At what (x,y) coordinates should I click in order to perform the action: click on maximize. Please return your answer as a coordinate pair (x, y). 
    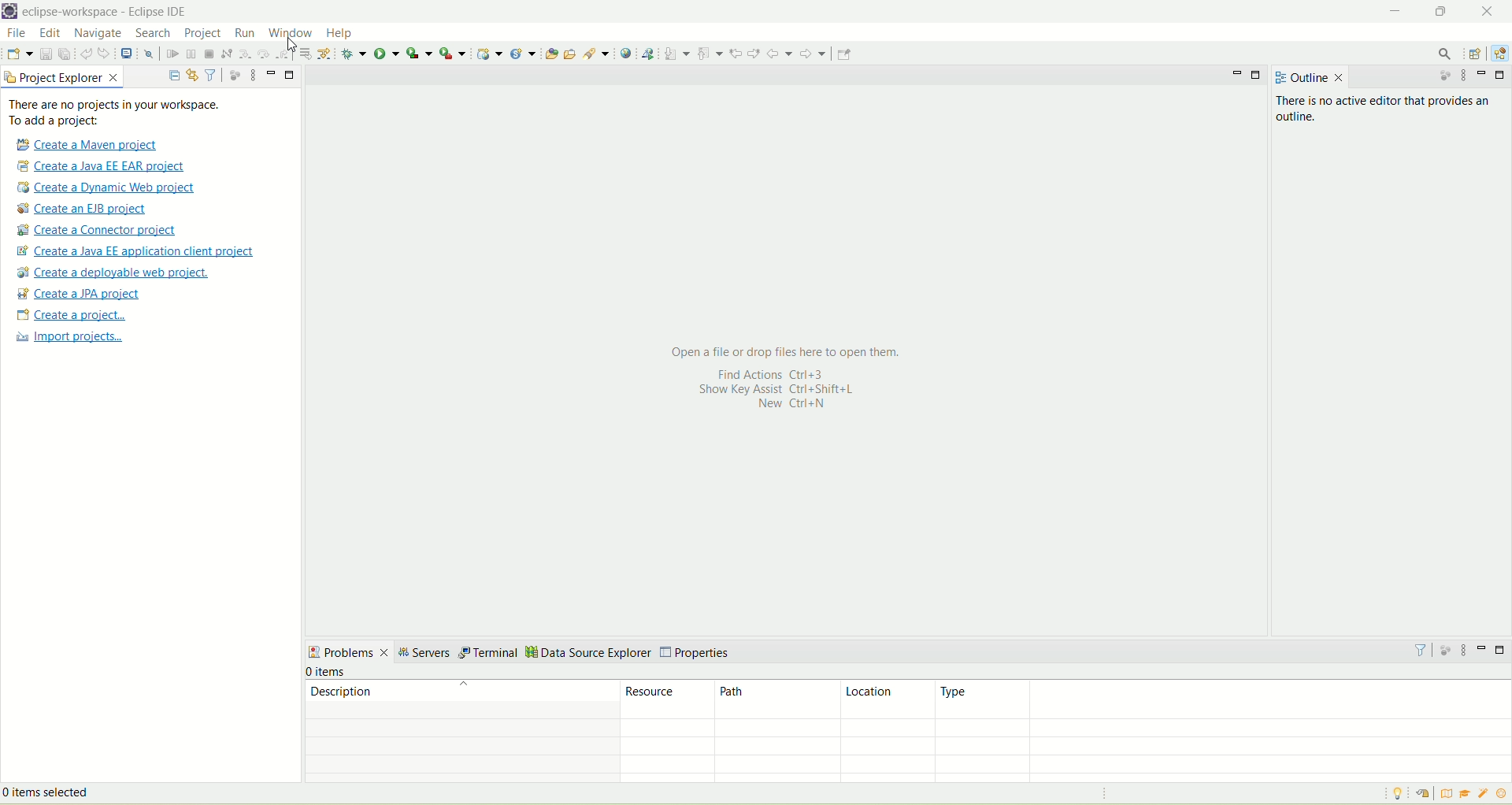
    Looking at the image, I should click on (291, 76).